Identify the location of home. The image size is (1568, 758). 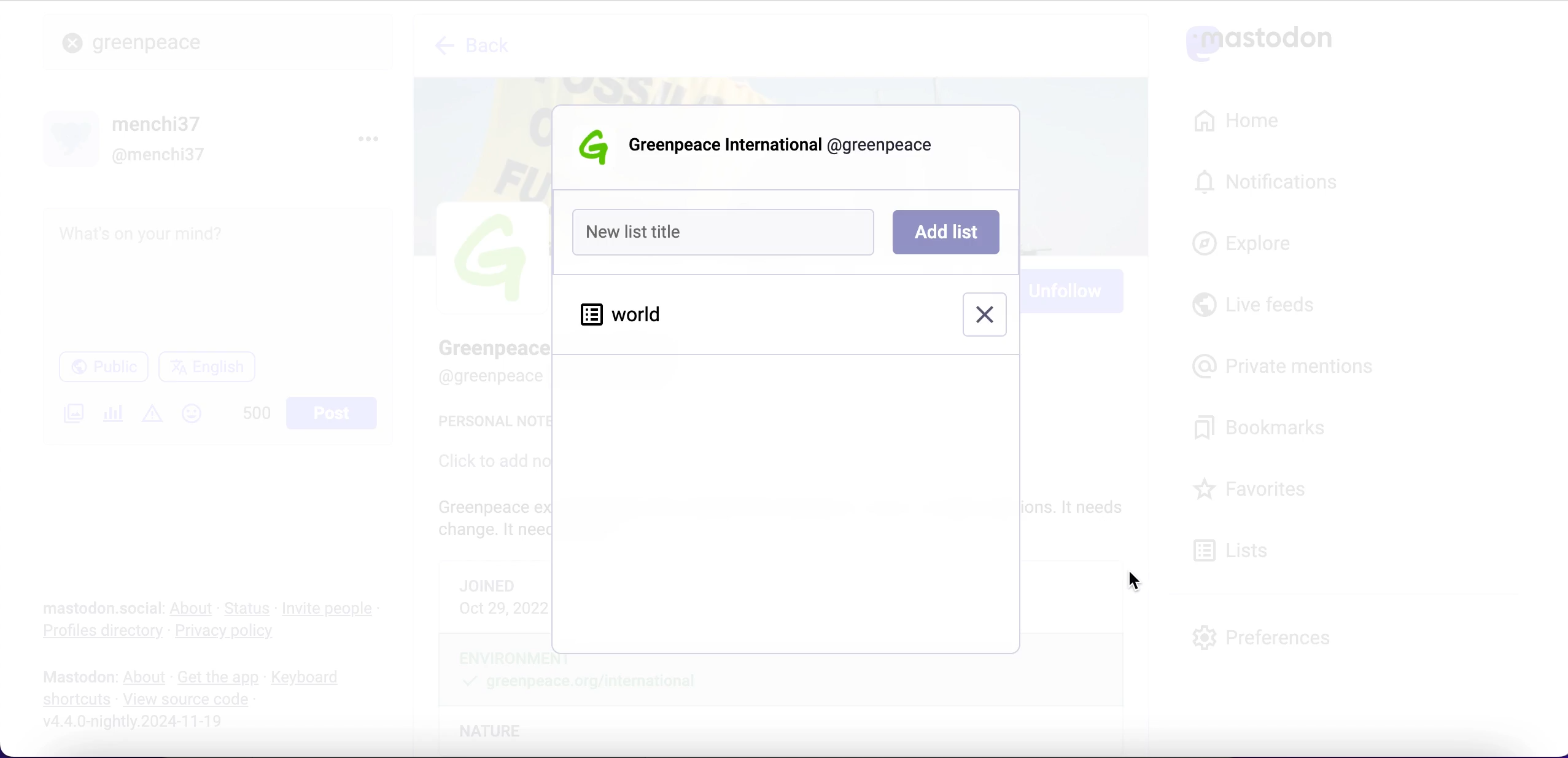
(1234, 121).